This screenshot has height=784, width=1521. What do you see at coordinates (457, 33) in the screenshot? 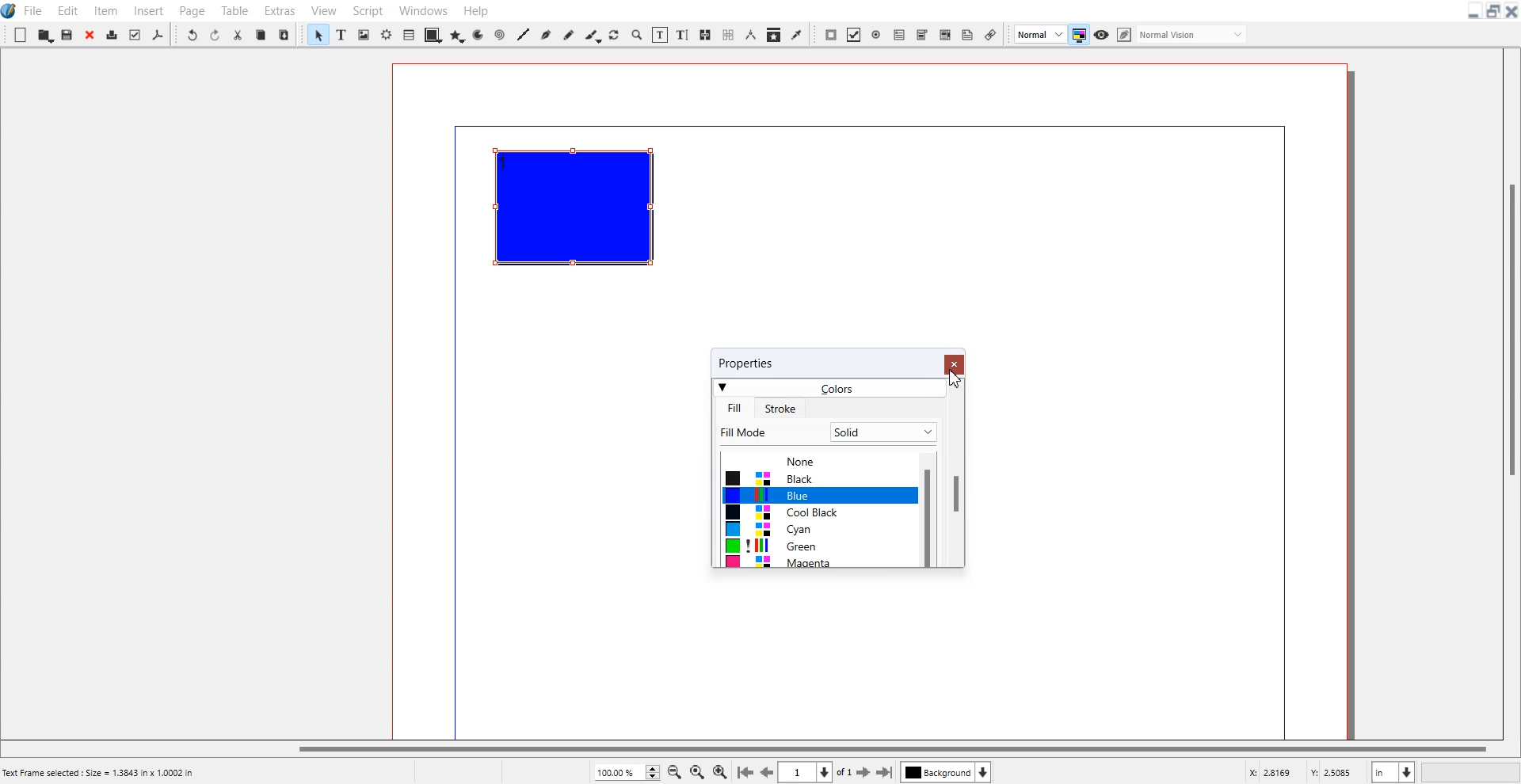
I see `Polygon` at bounding box center [457, 33].